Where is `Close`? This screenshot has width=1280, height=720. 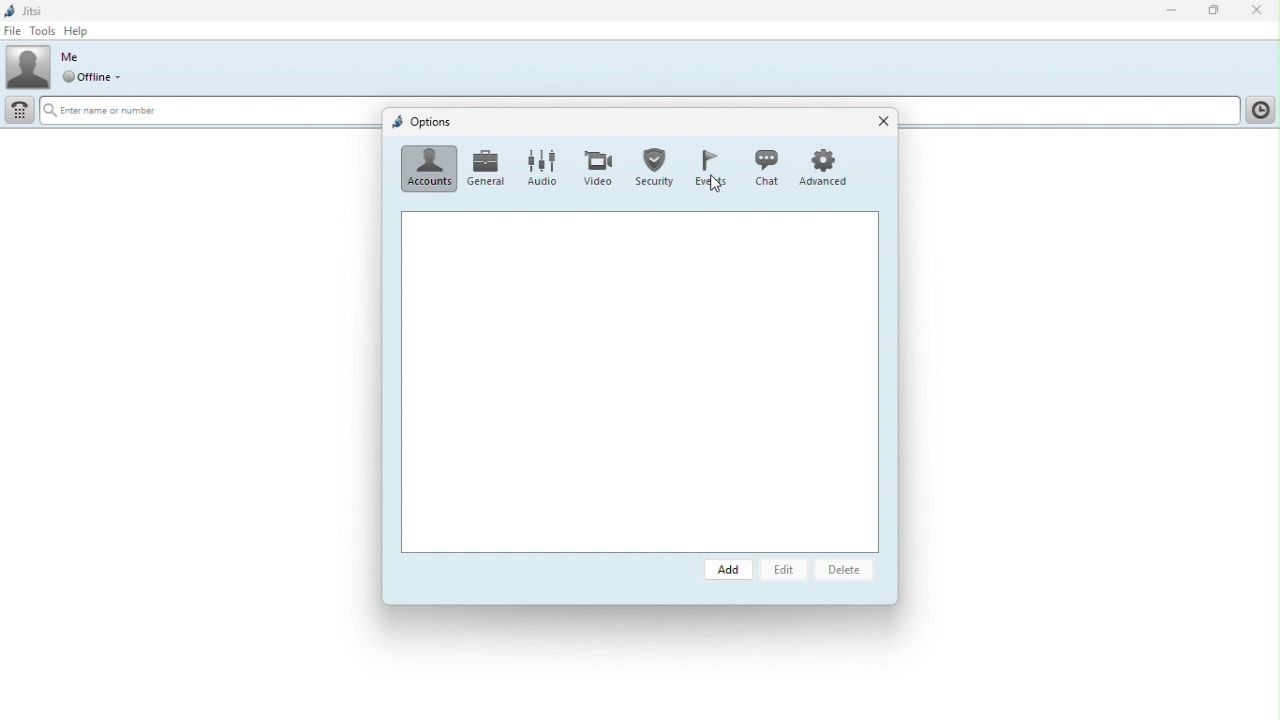
Close is located at coordinates (1257, 11).